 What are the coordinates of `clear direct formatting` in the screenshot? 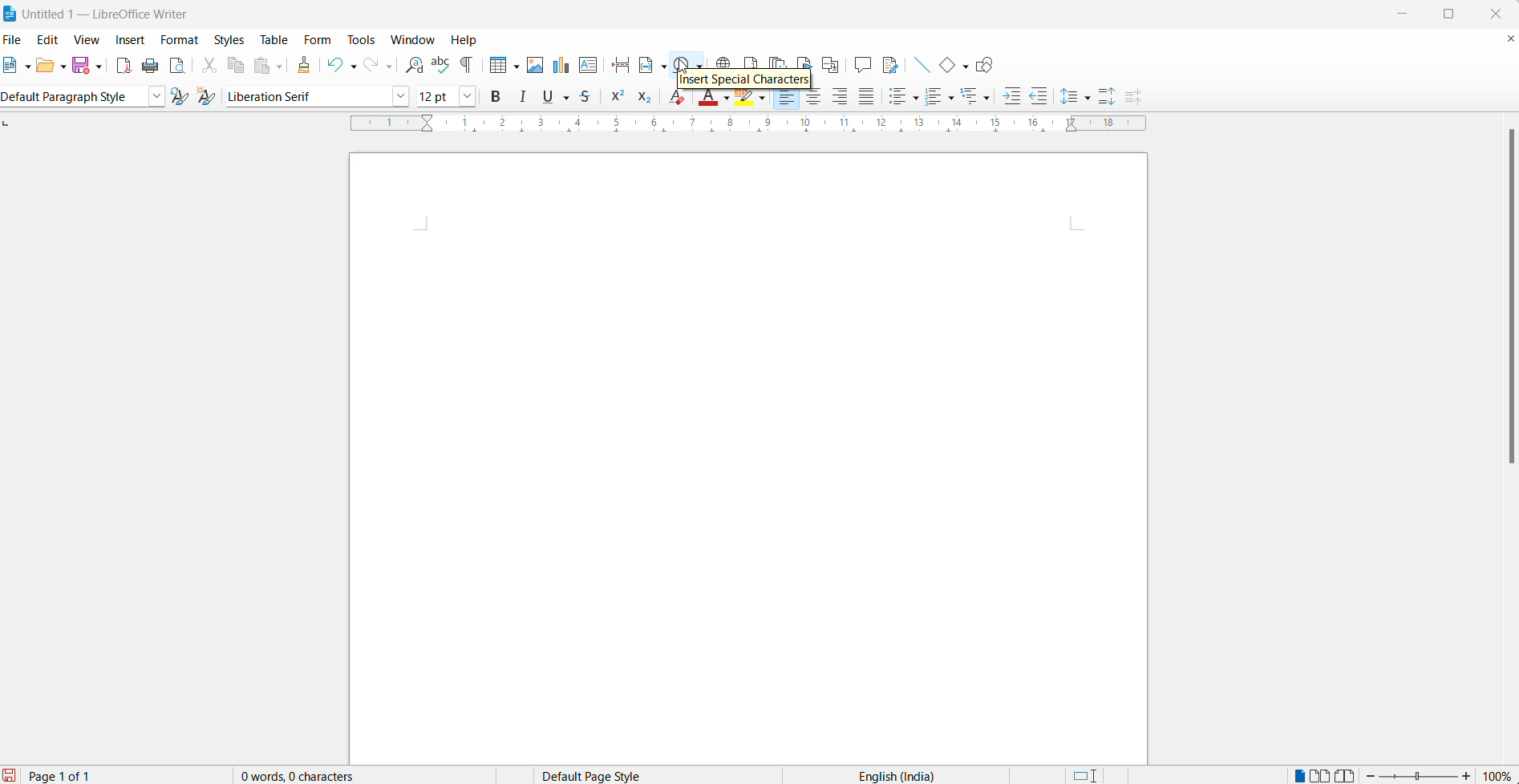 It's located at (674, 101).